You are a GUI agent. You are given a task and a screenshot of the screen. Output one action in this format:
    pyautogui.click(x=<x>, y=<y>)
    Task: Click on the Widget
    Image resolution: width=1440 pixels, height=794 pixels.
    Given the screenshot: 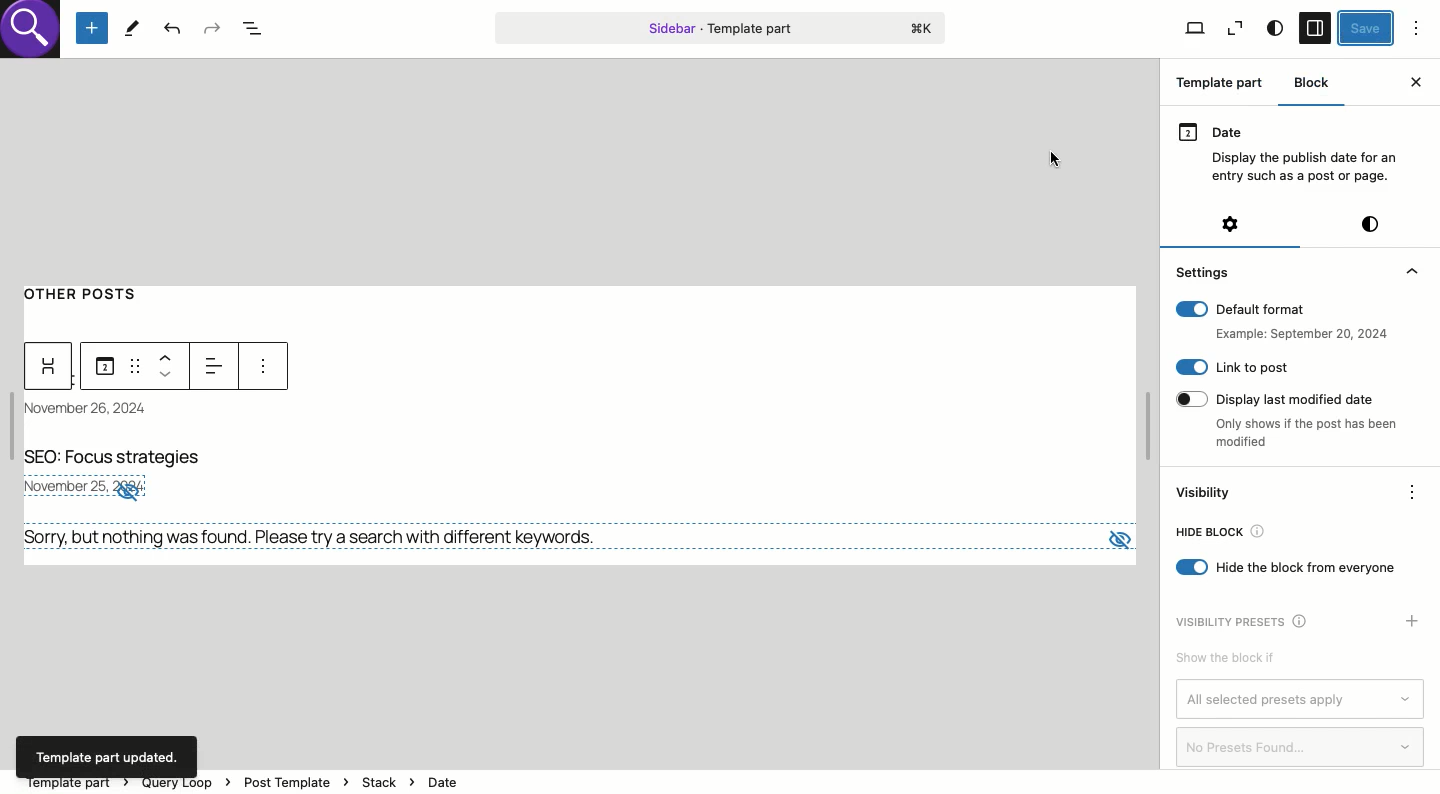 What is the action you would take?
    pyautogui.click(x=50, y=367)
    